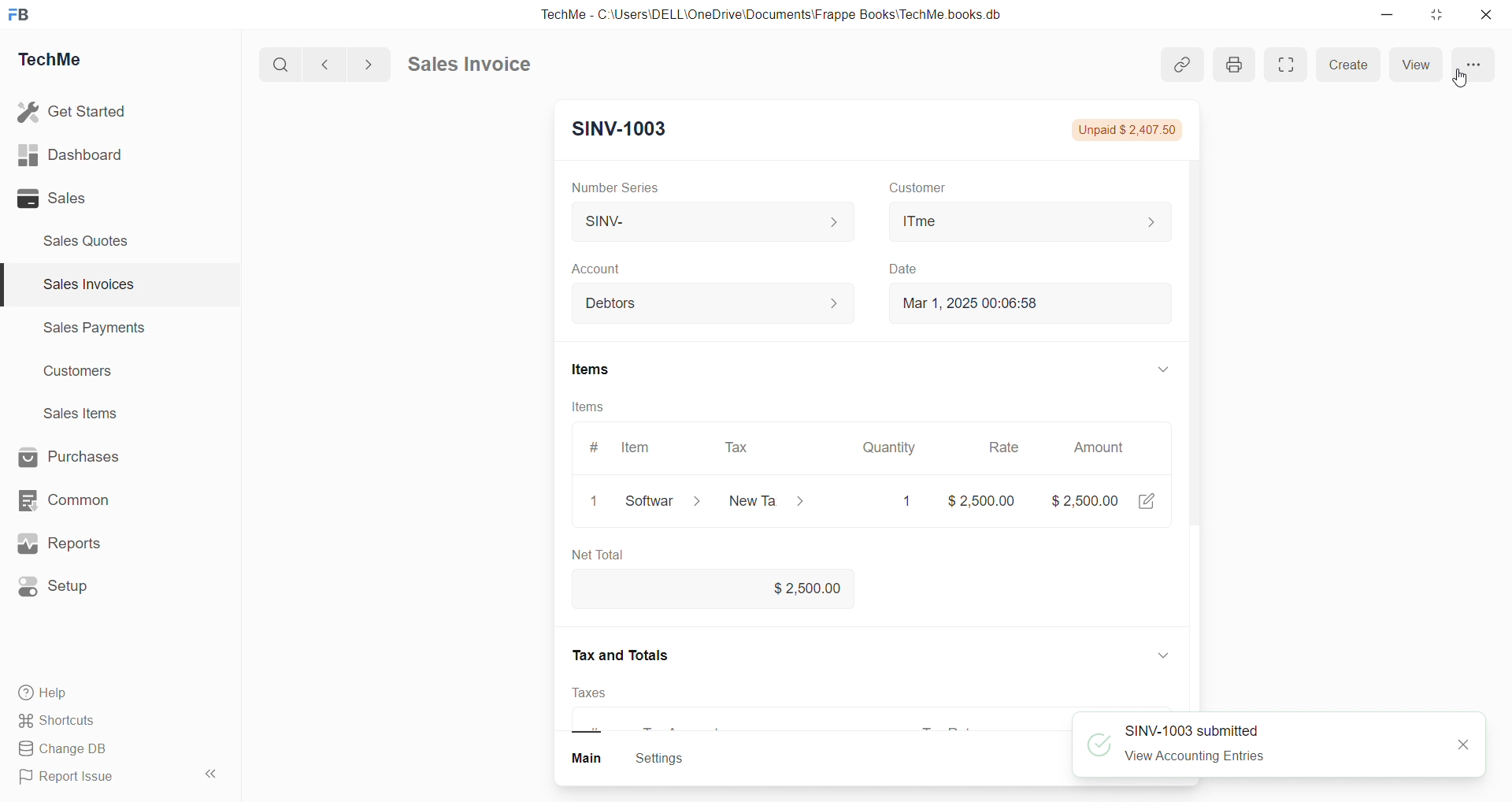  I want to click on & Get Started, so click(74, 110).